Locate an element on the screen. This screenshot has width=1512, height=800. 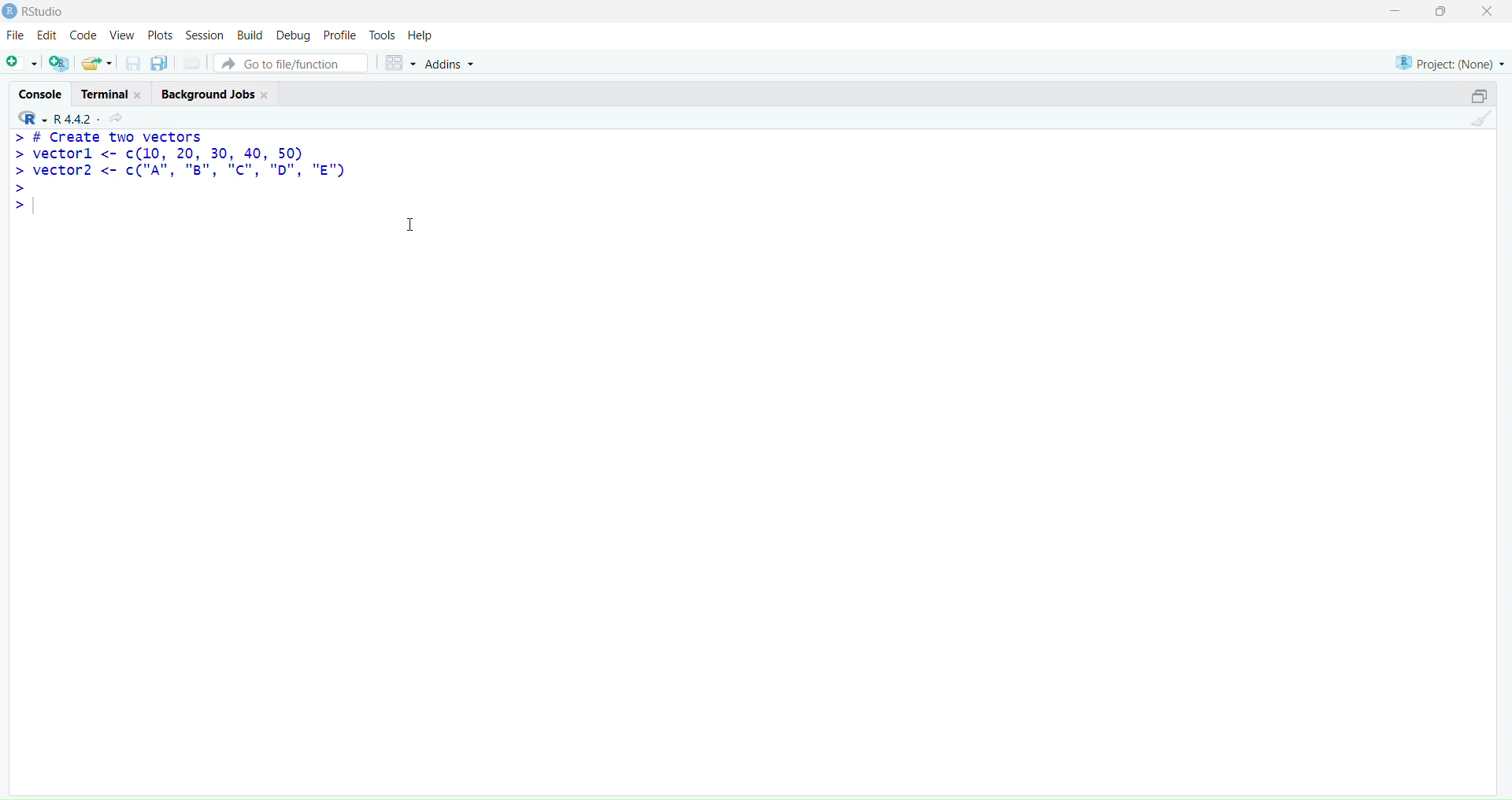
Maximize is located at coordinates (1442, 11).